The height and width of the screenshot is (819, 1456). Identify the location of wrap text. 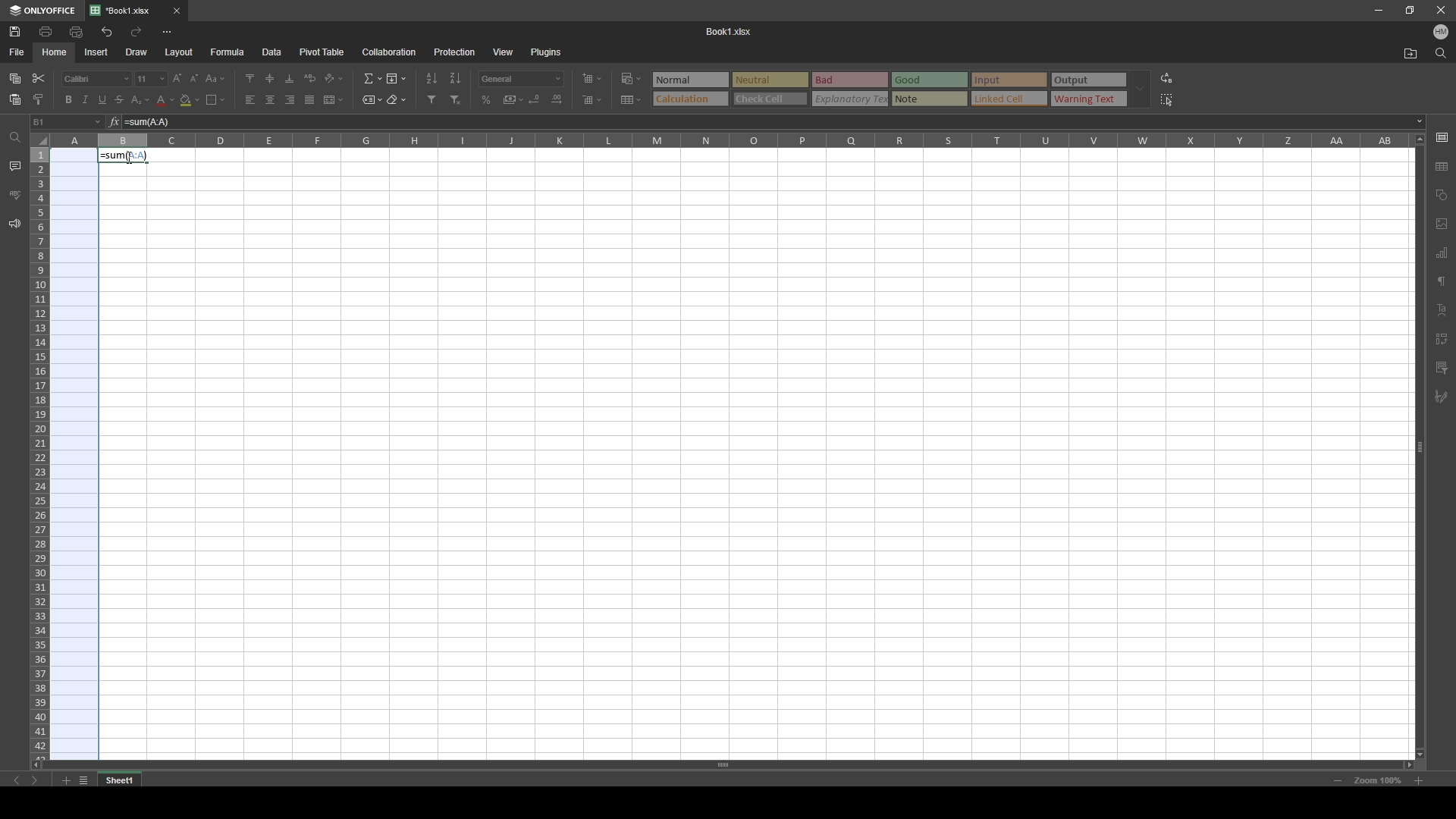
(311, 77).